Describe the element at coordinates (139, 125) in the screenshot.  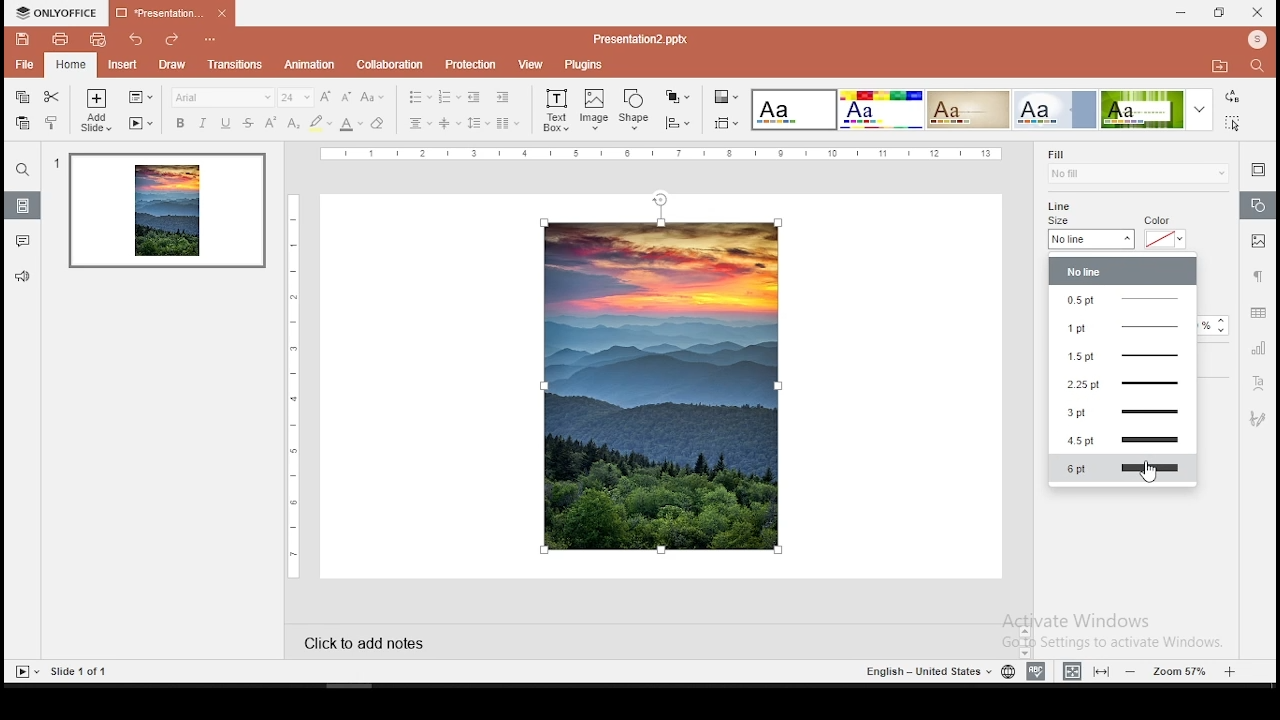
I see `start slideshow` at that location.